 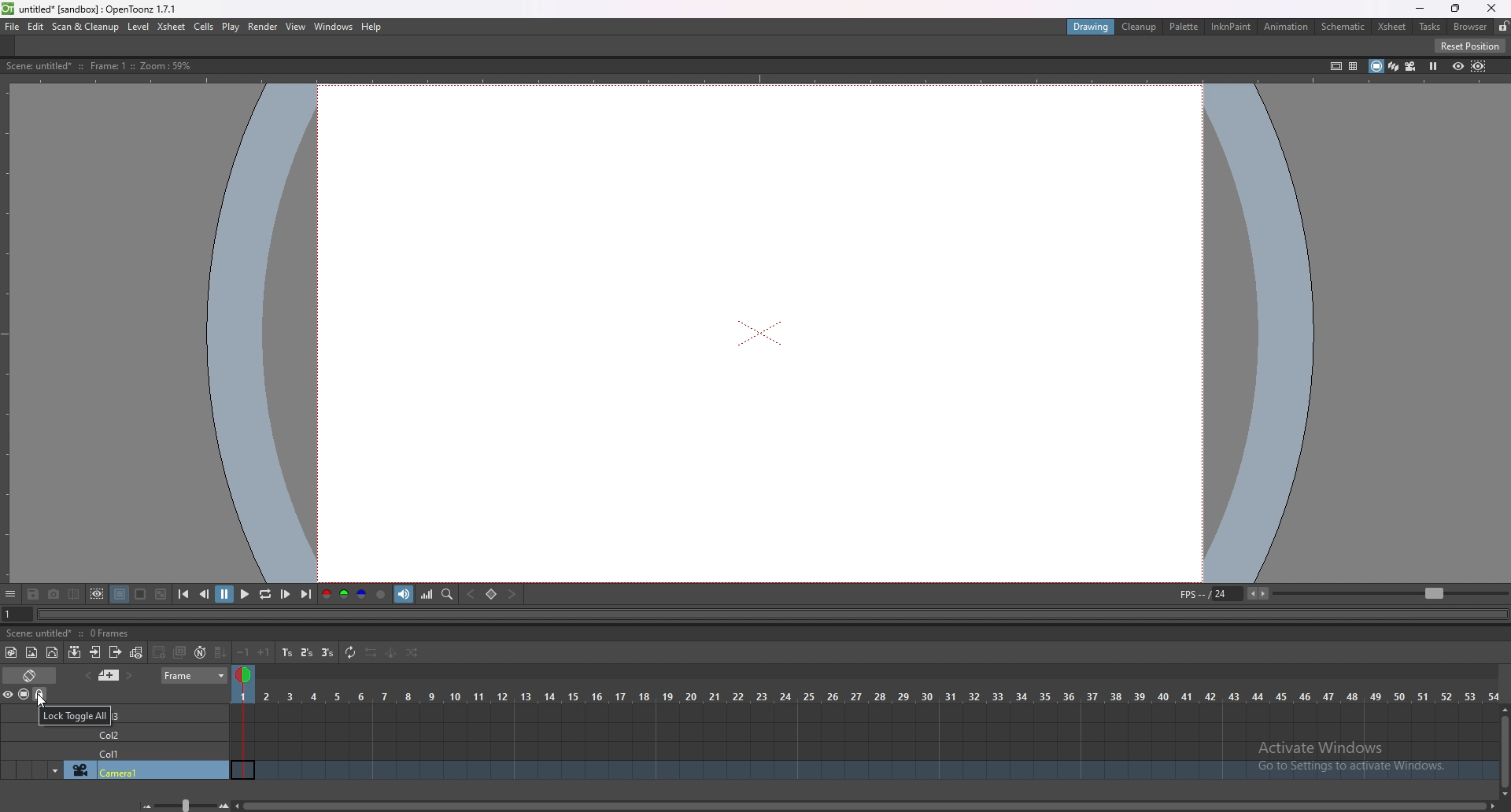 What do you see at coordinates (74, 715) in the screenshot?
I see `lock description` at bounding box center [74, 715].